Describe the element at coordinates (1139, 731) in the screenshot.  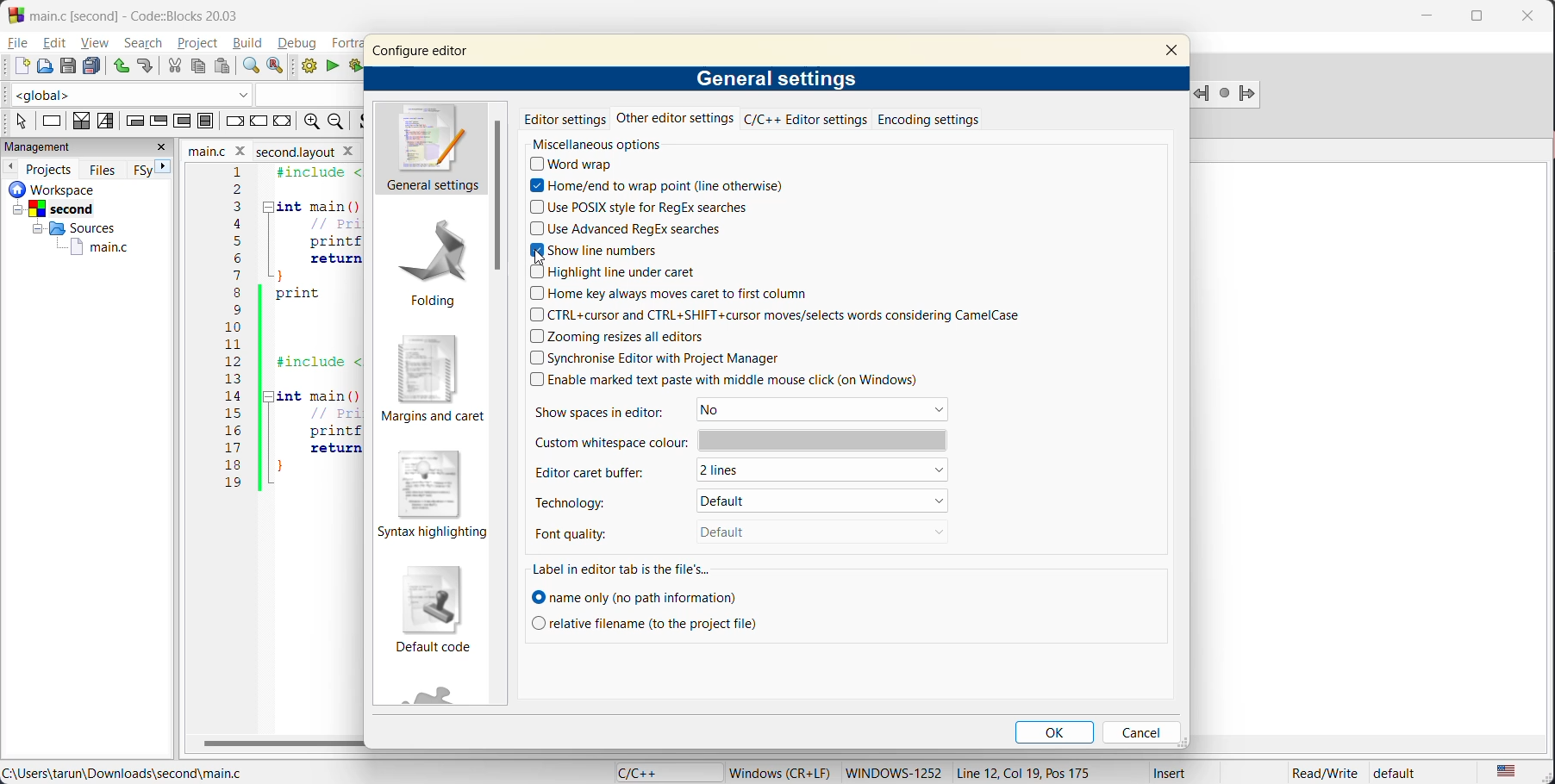
I see `cancel` at that location.